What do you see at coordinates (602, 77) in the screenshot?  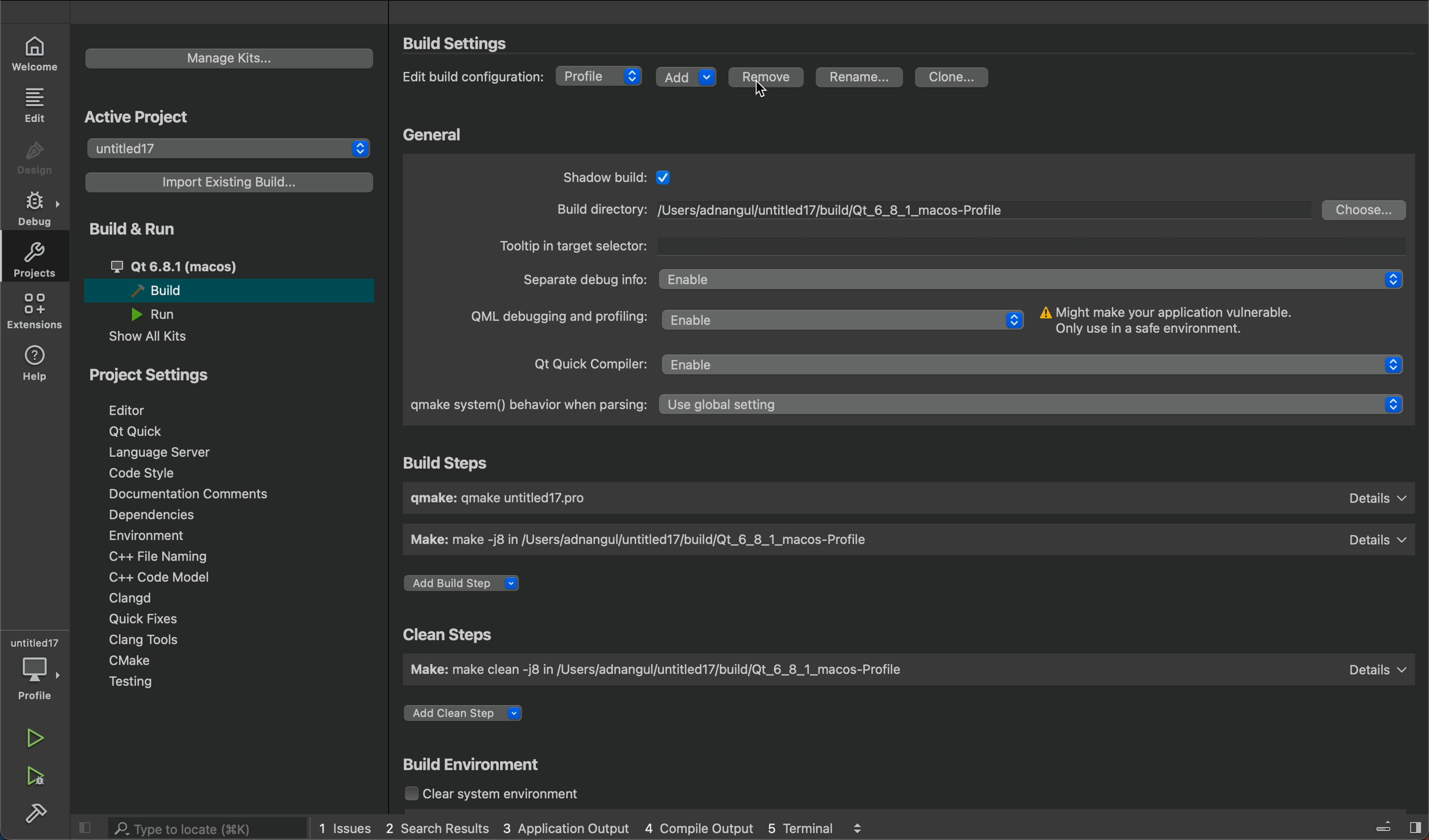 I see `debug type` at bounding box center [602, 77].